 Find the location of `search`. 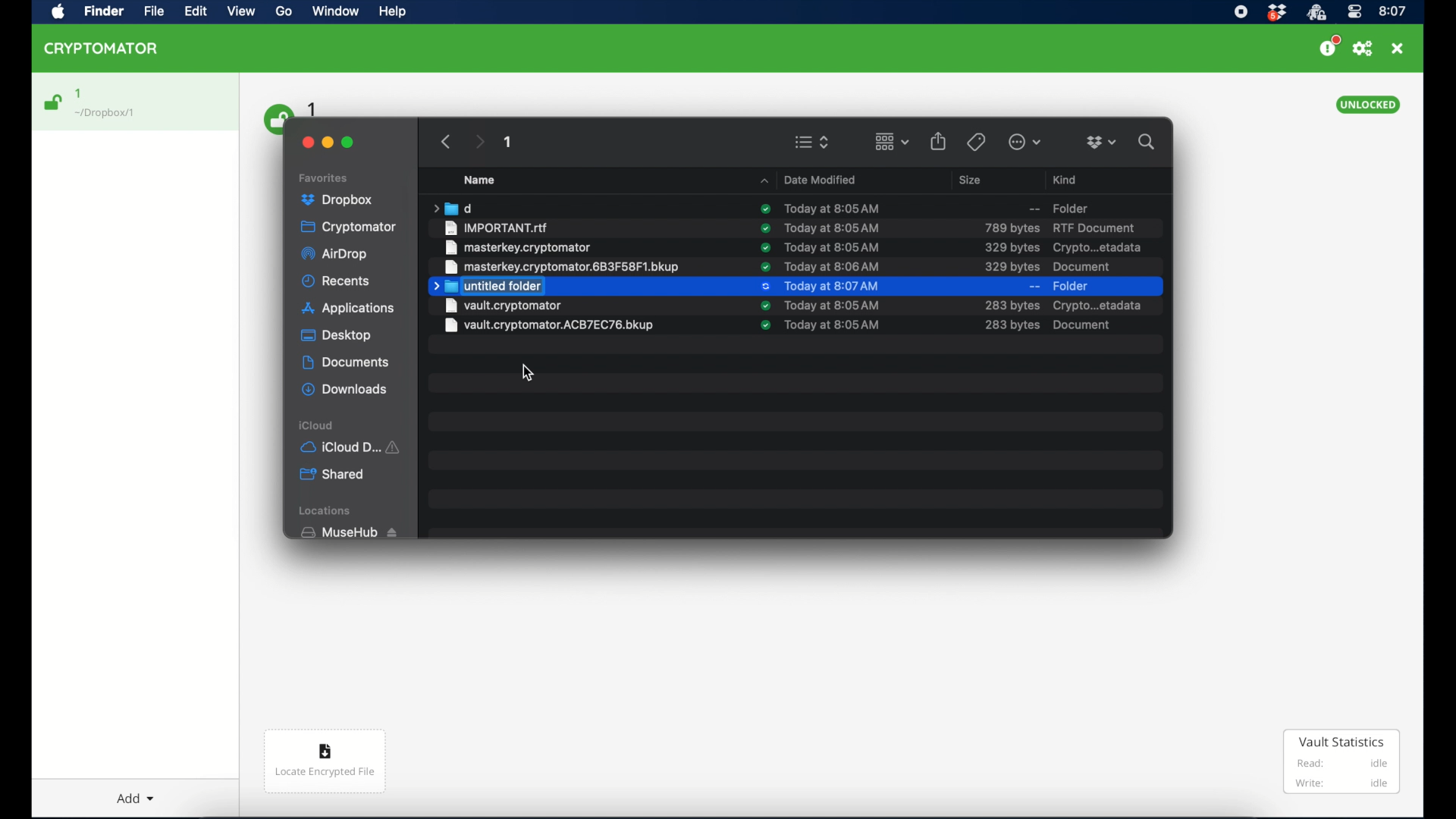

search is located at coordinates (1147, 140).